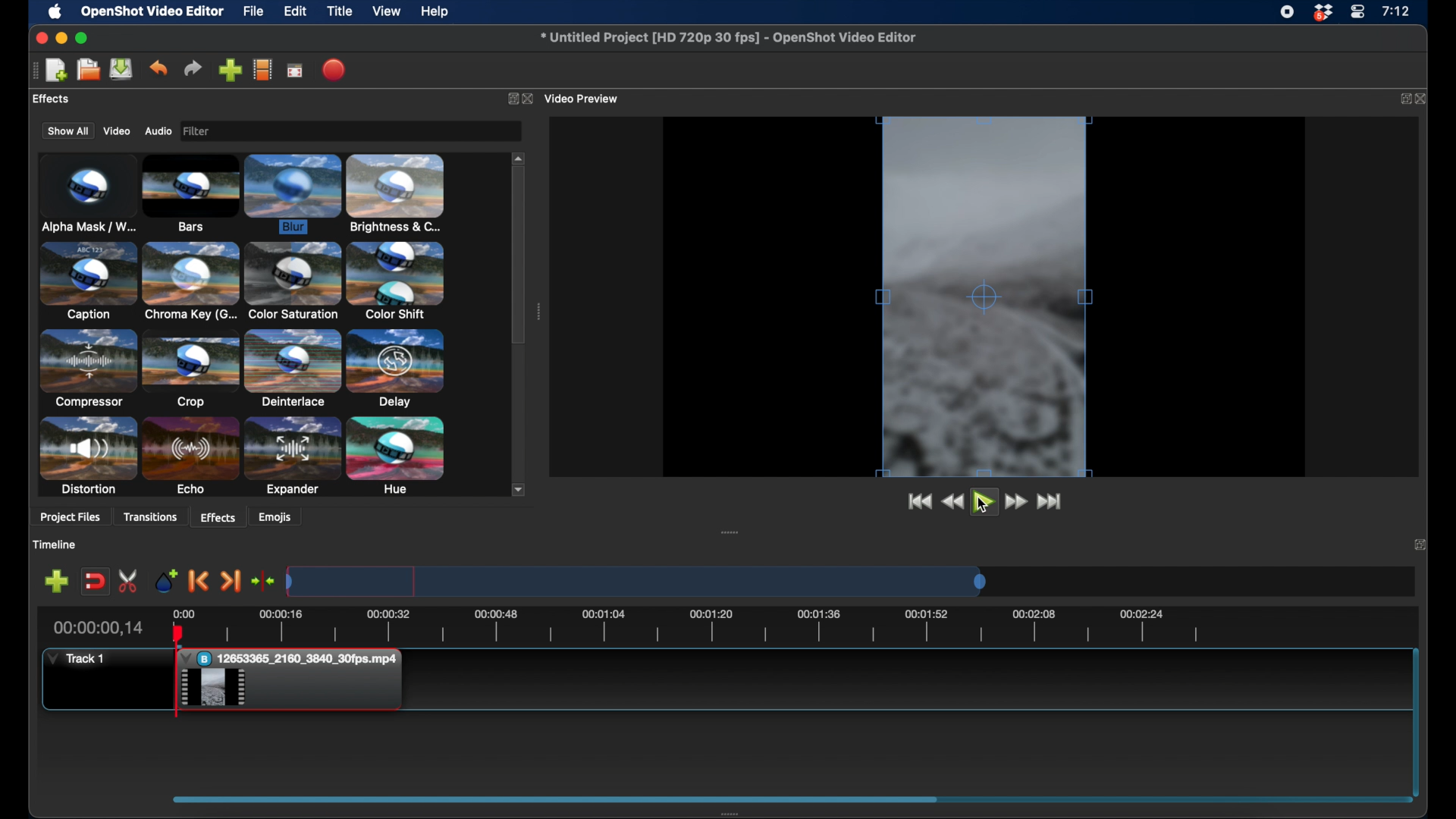  What do you see at coordinates (1425, 99) in the screenshot?
I see `close` at bounding box center [1425, 99].